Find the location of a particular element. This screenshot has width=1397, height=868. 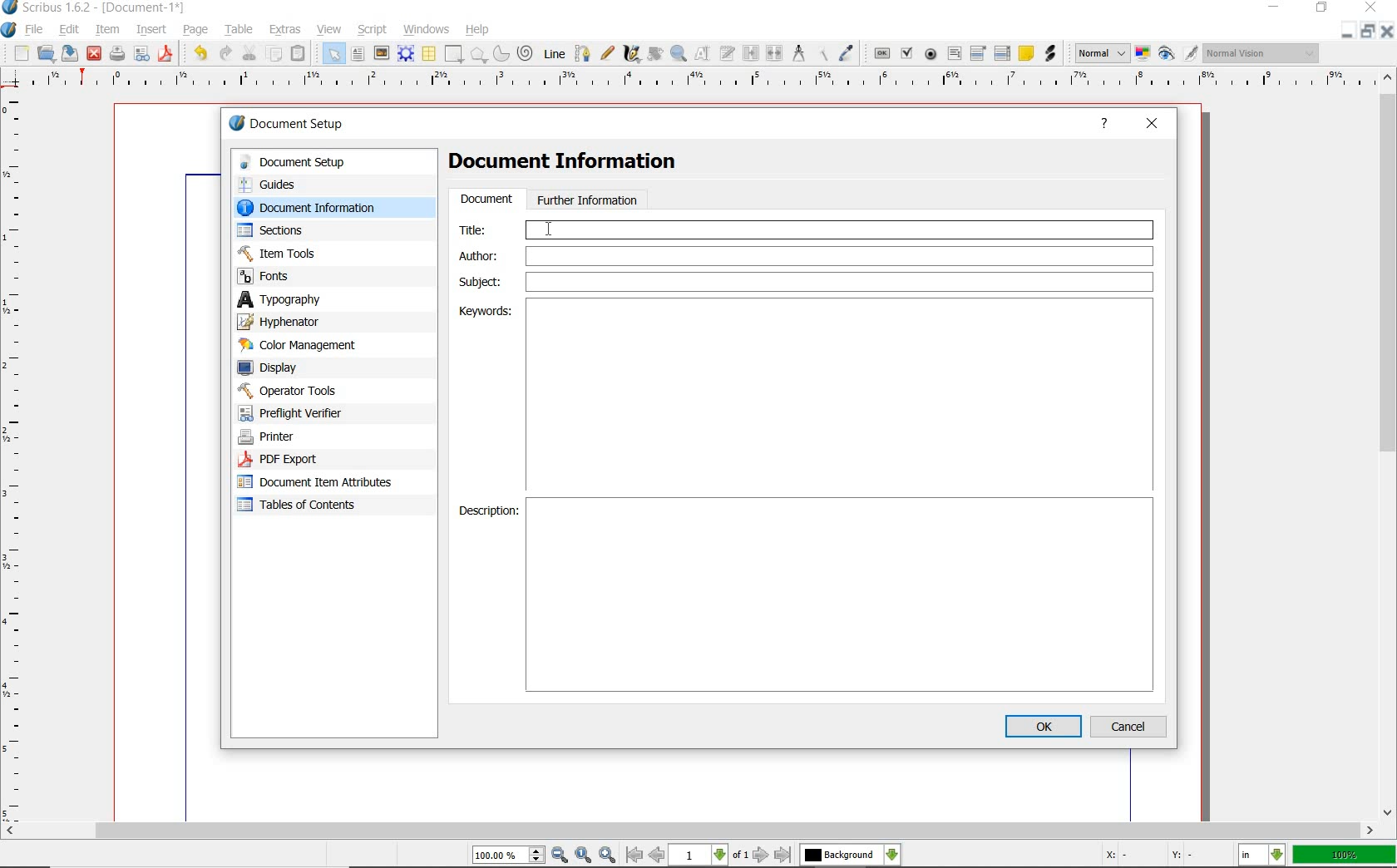

select the current unit is located at coordinates (1261, 855).